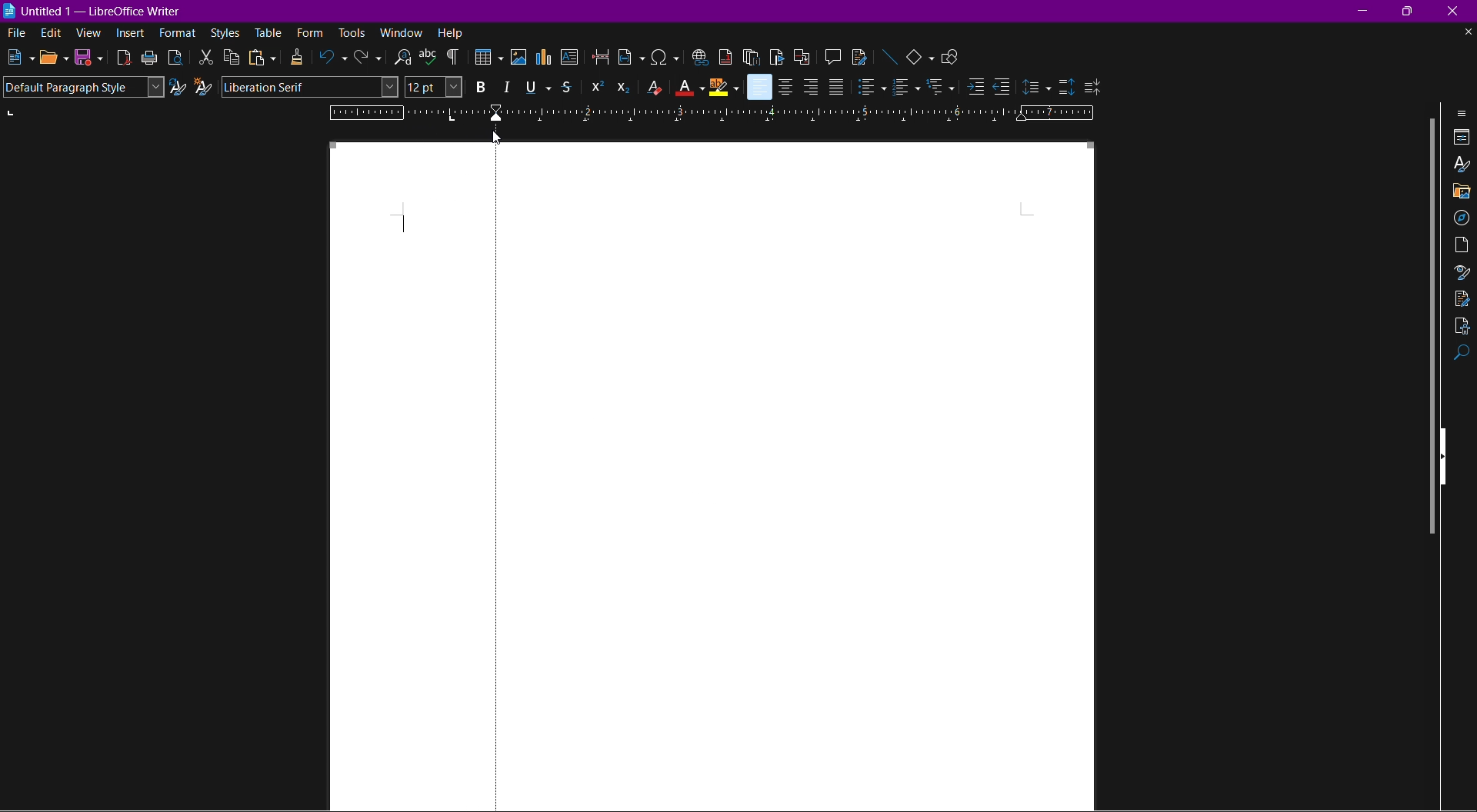 This screenshot has height=812, width=1477. What do you see at coordinates (428, 57) in the screenshot?
I see `Spellcheck` at bounding box center [428, 57].